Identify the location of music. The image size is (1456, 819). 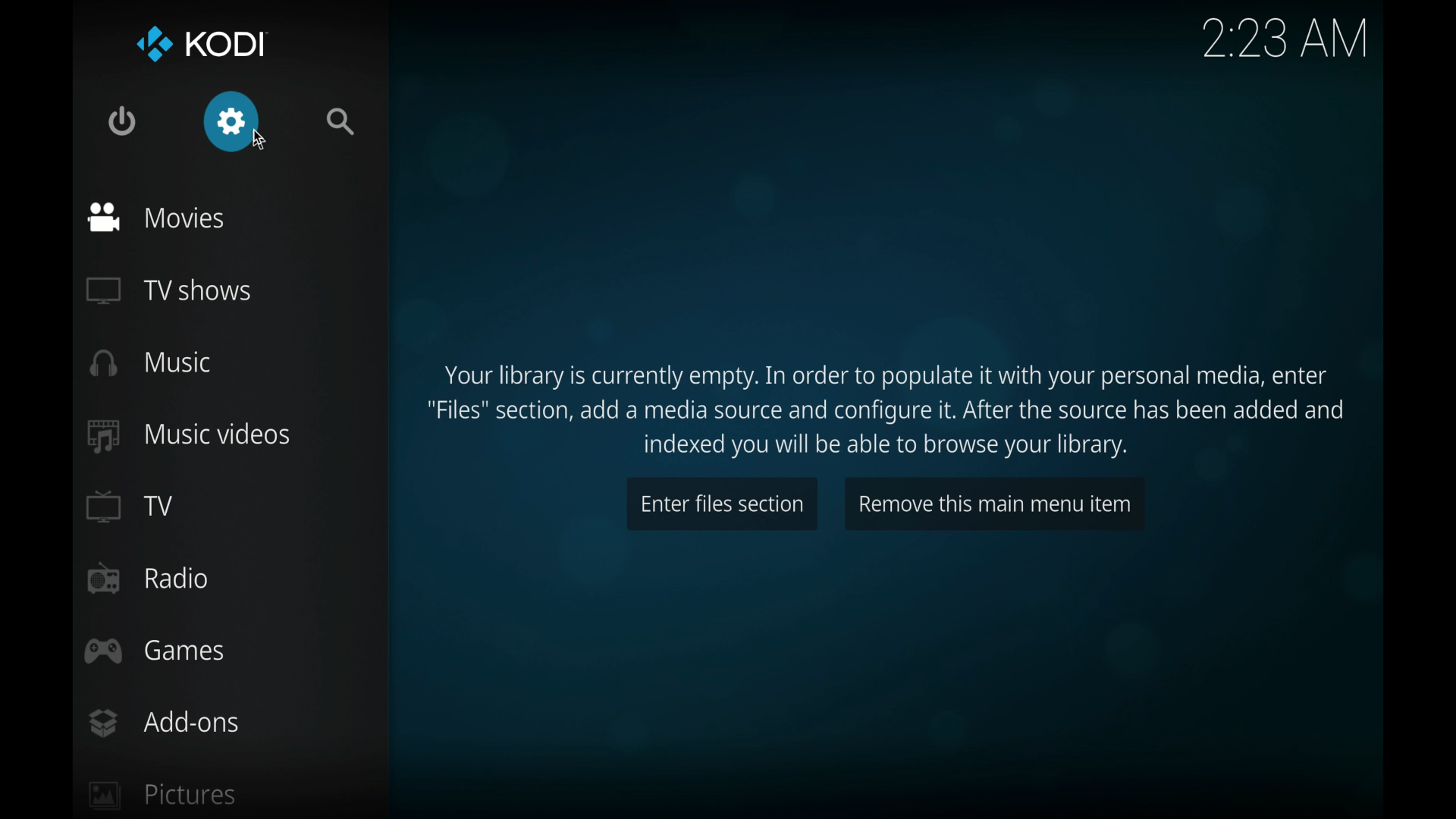
(152, 361).